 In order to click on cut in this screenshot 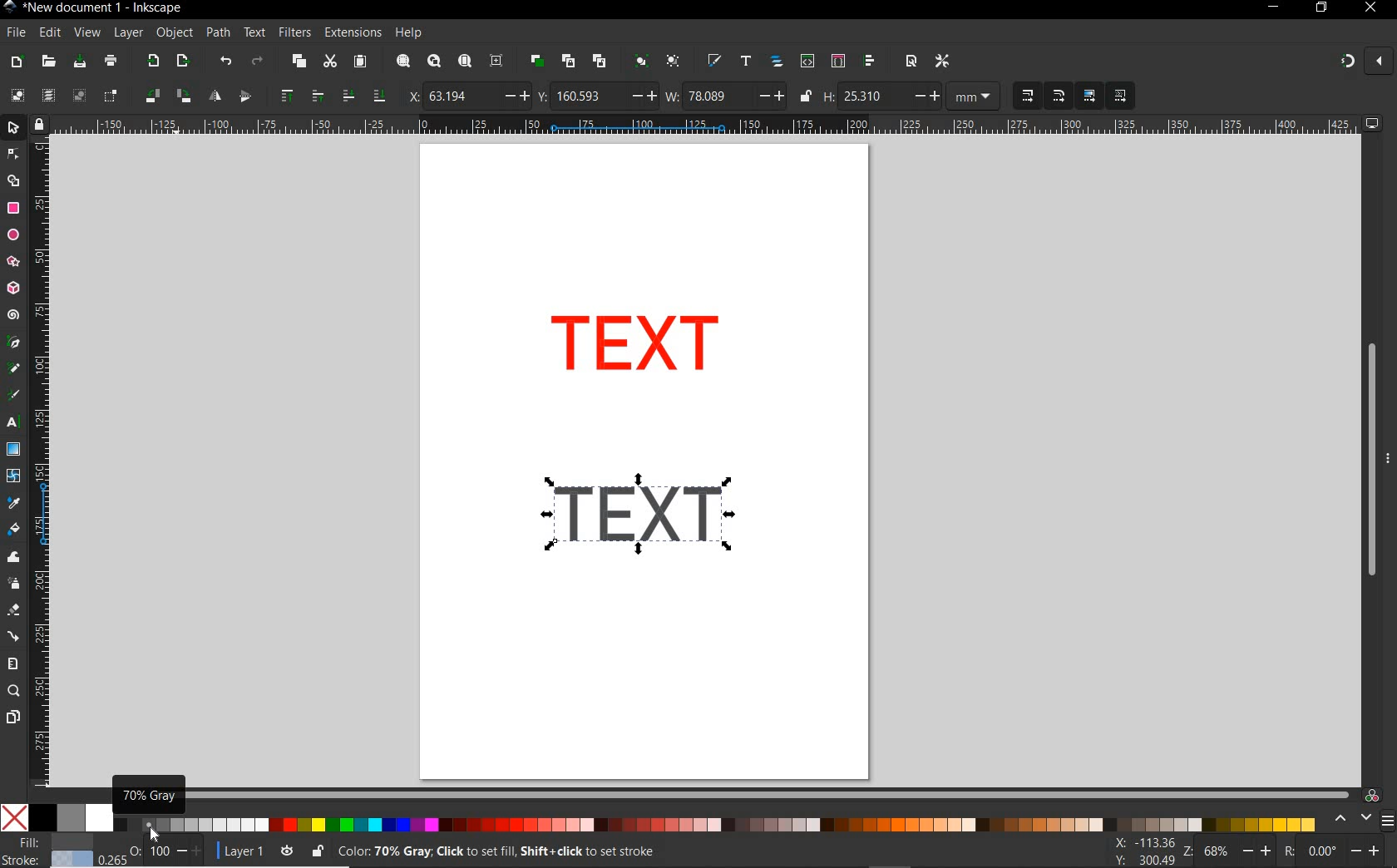, I will do `click(329, 62)`.